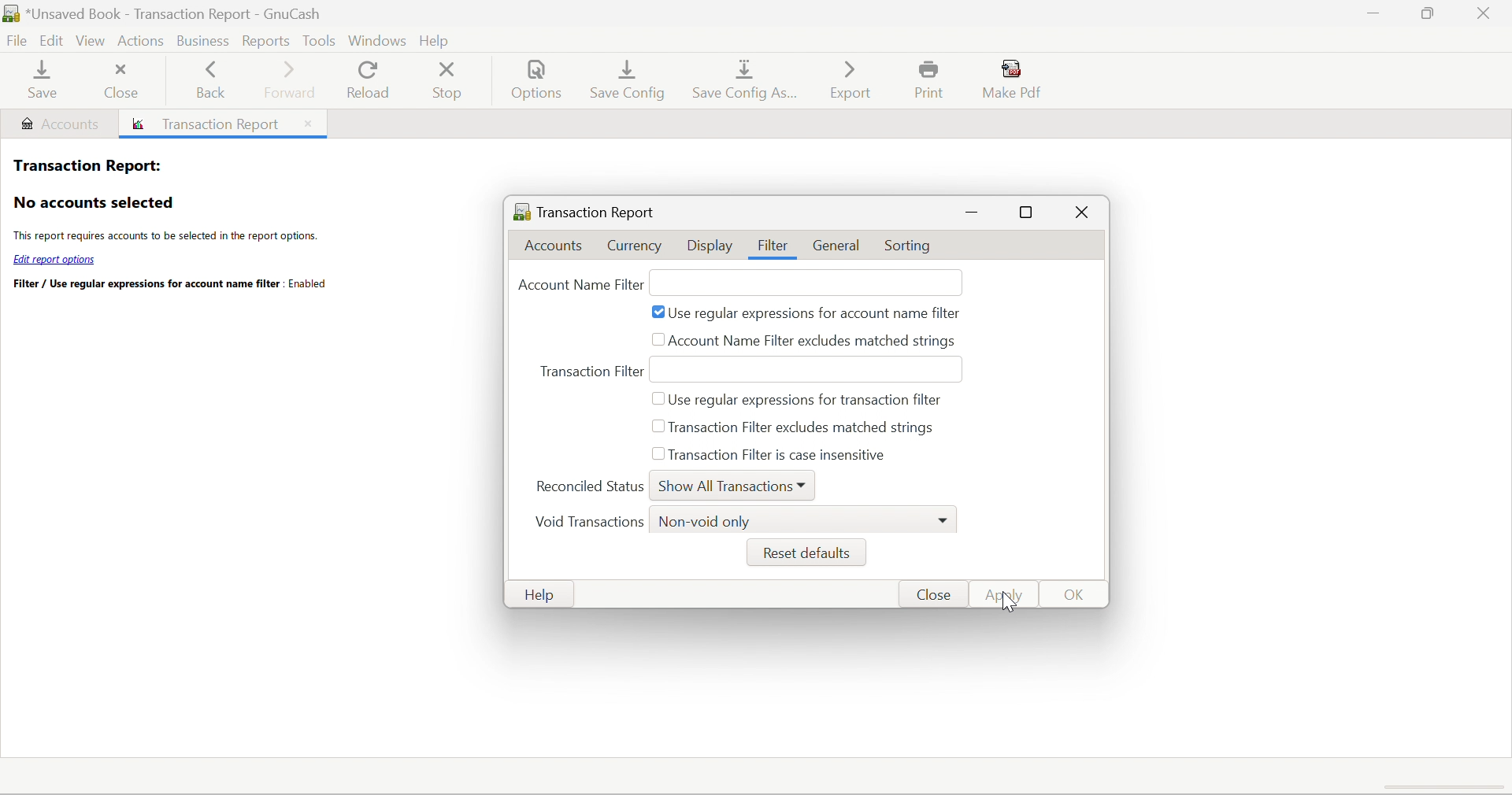 This screenshot has height=795, width=1512. What do you see at coordinates (559, 246) in the screenshot?
I see `Accounts` at bounding box center [559, 246].